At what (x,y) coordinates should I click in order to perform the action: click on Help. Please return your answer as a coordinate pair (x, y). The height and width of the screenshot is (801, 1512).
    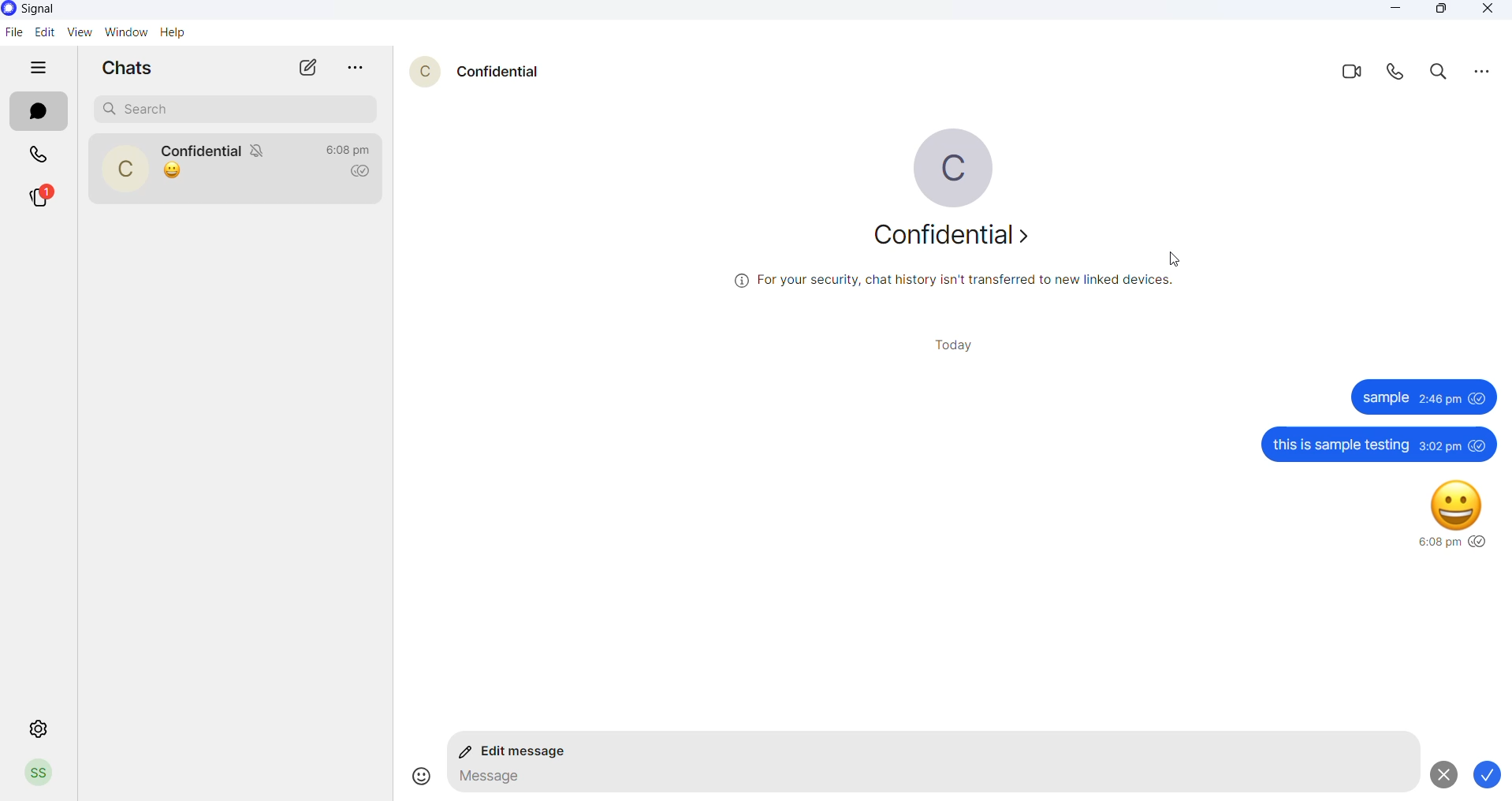
    Looking at the image, I should click on (177, 32).